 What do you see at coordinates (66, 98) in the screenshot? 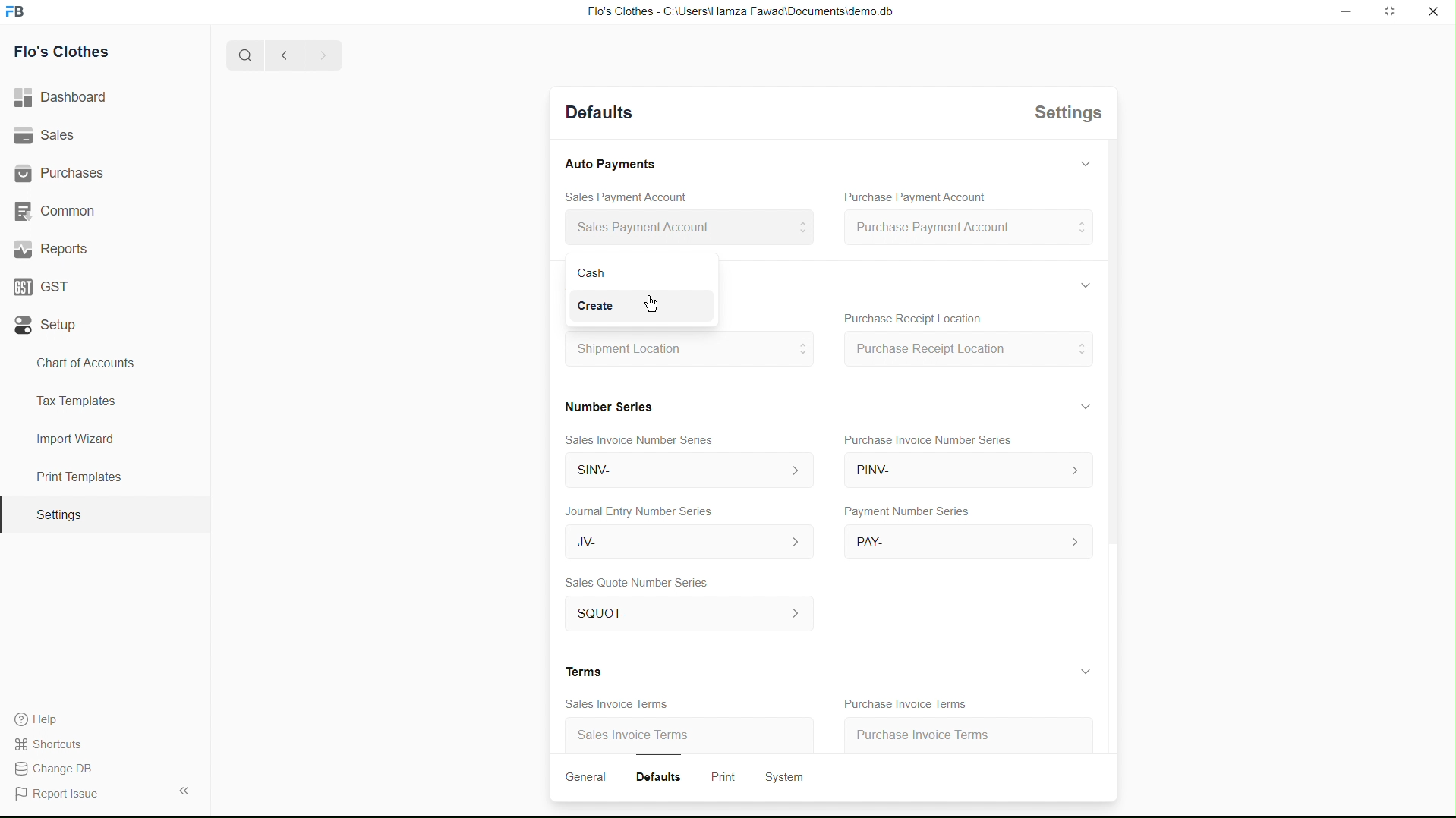
I see `Dashboard` at bounding box center [66, 98].